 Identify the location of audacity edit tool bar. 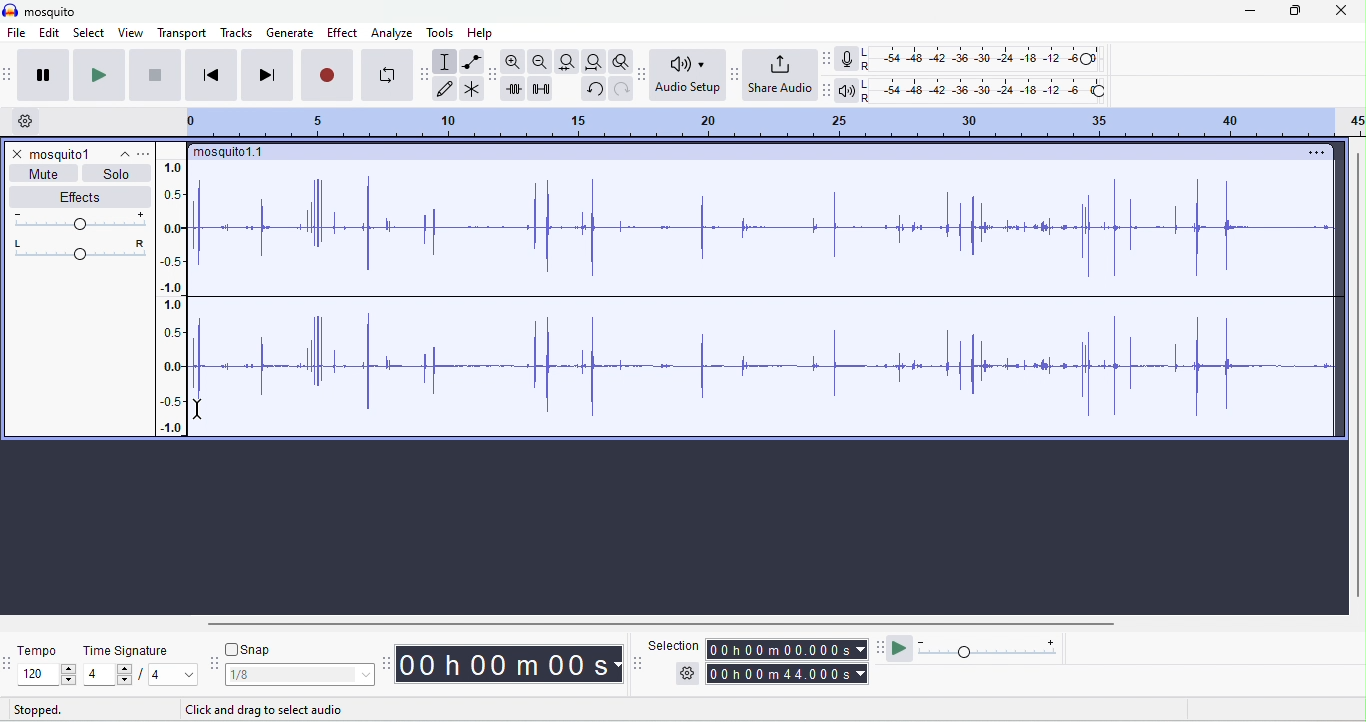
(495, 73).